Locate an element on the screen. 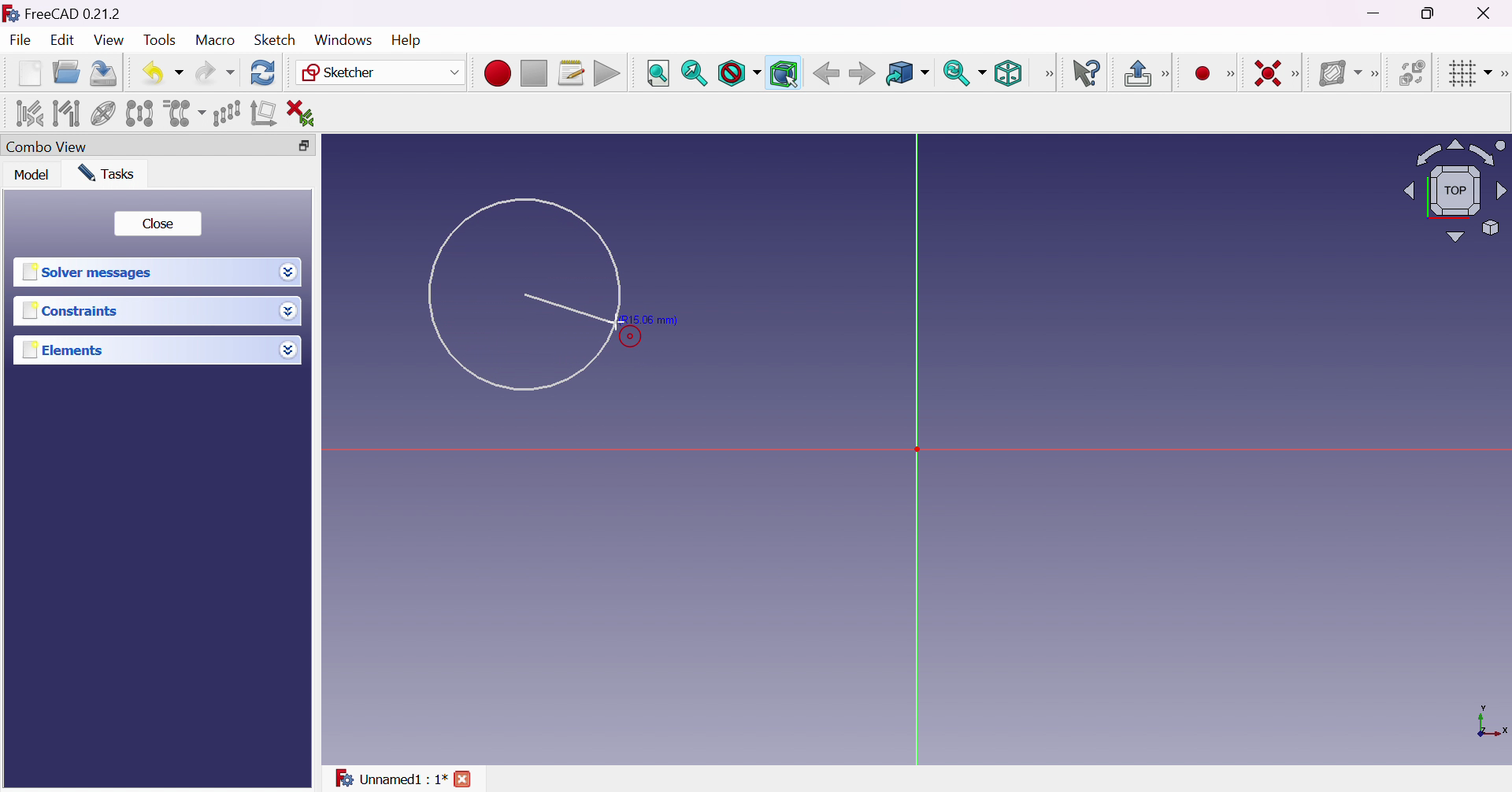  (R15.06 mm) is located at coordinates (655, 320).